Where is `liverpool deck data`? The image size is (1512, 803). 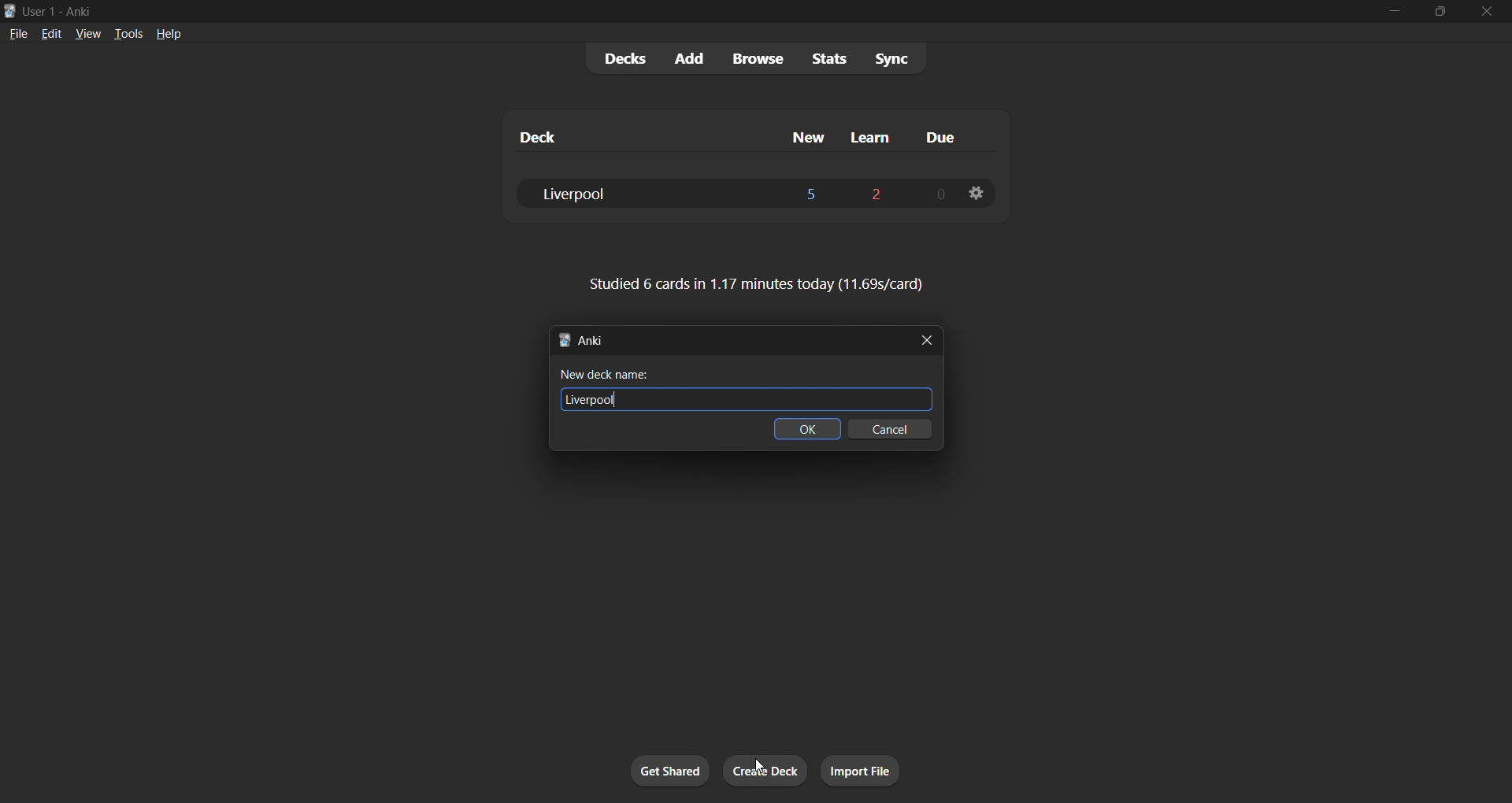 liverpool deck data is located at coordinates (732, 193).